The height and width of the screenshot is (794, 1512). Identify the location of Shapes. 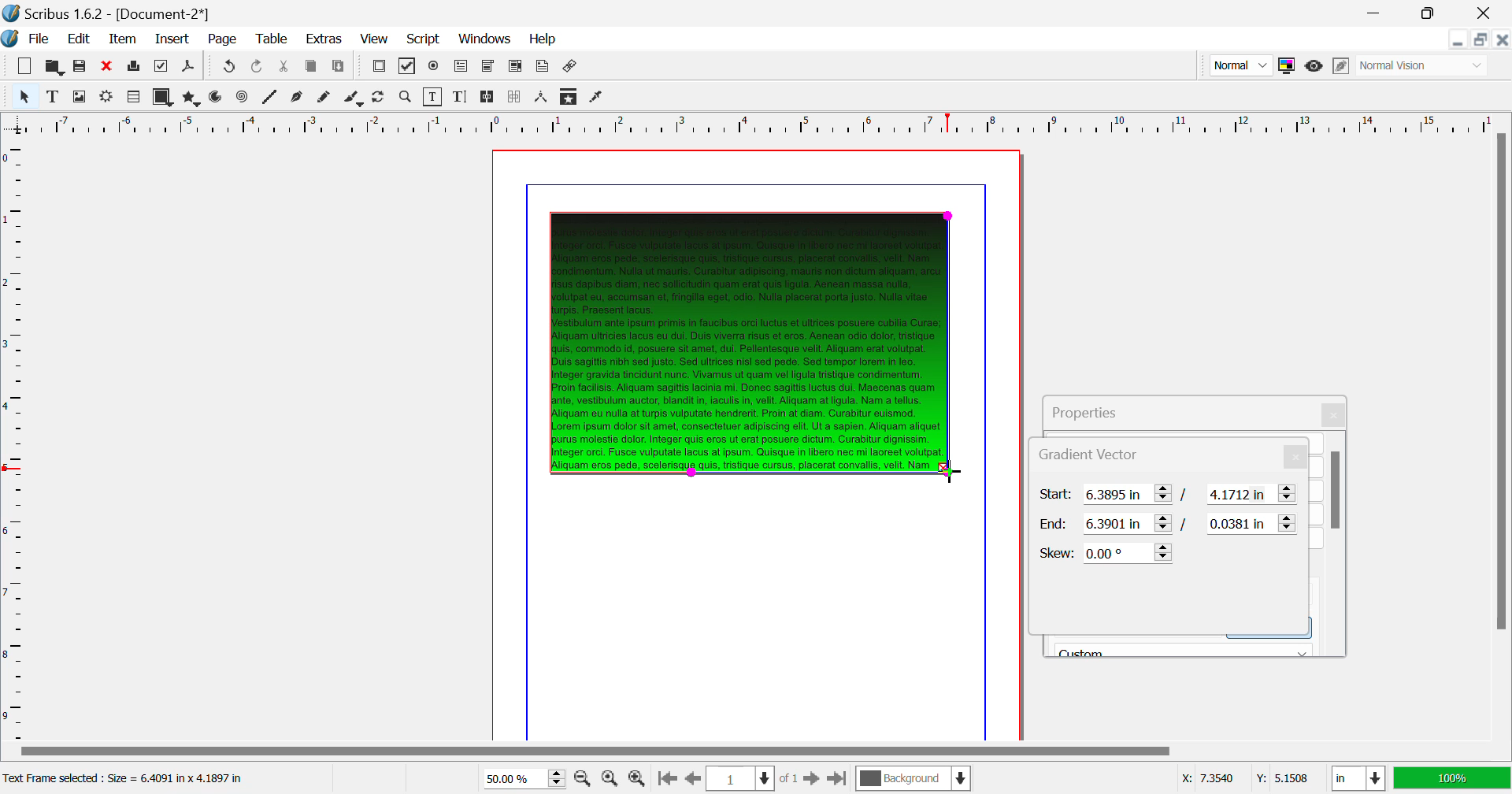
(162, 97).